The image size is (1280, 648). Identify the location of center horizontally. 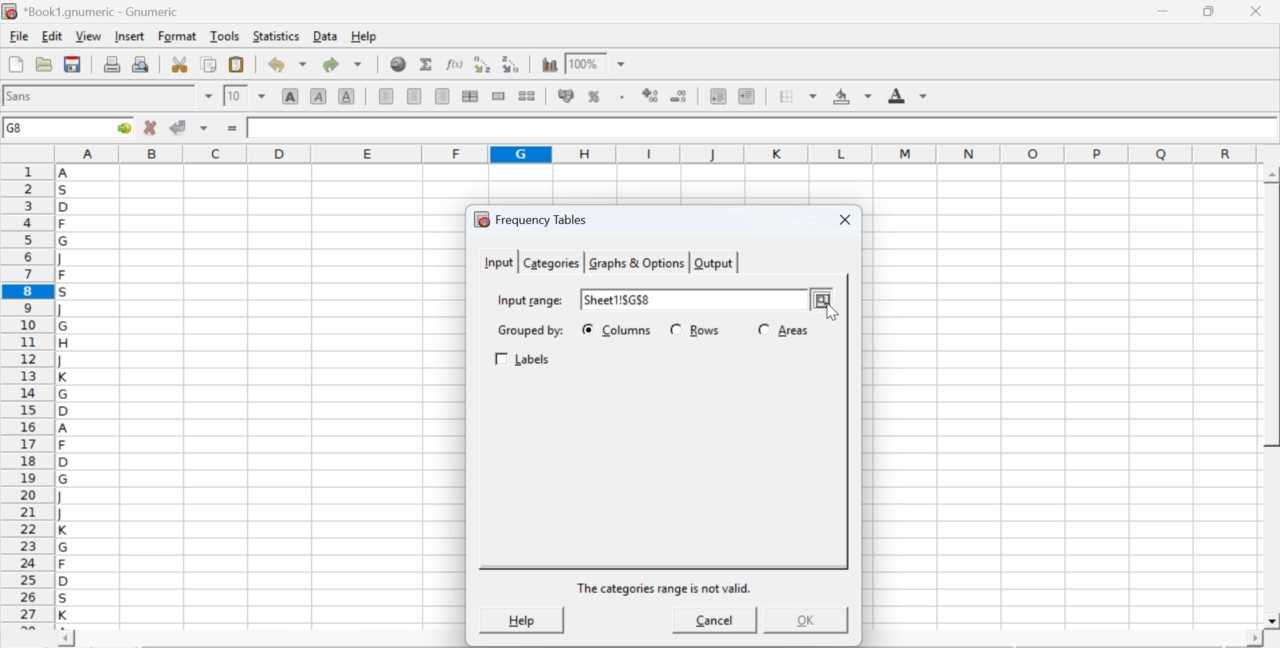
(415, 96).